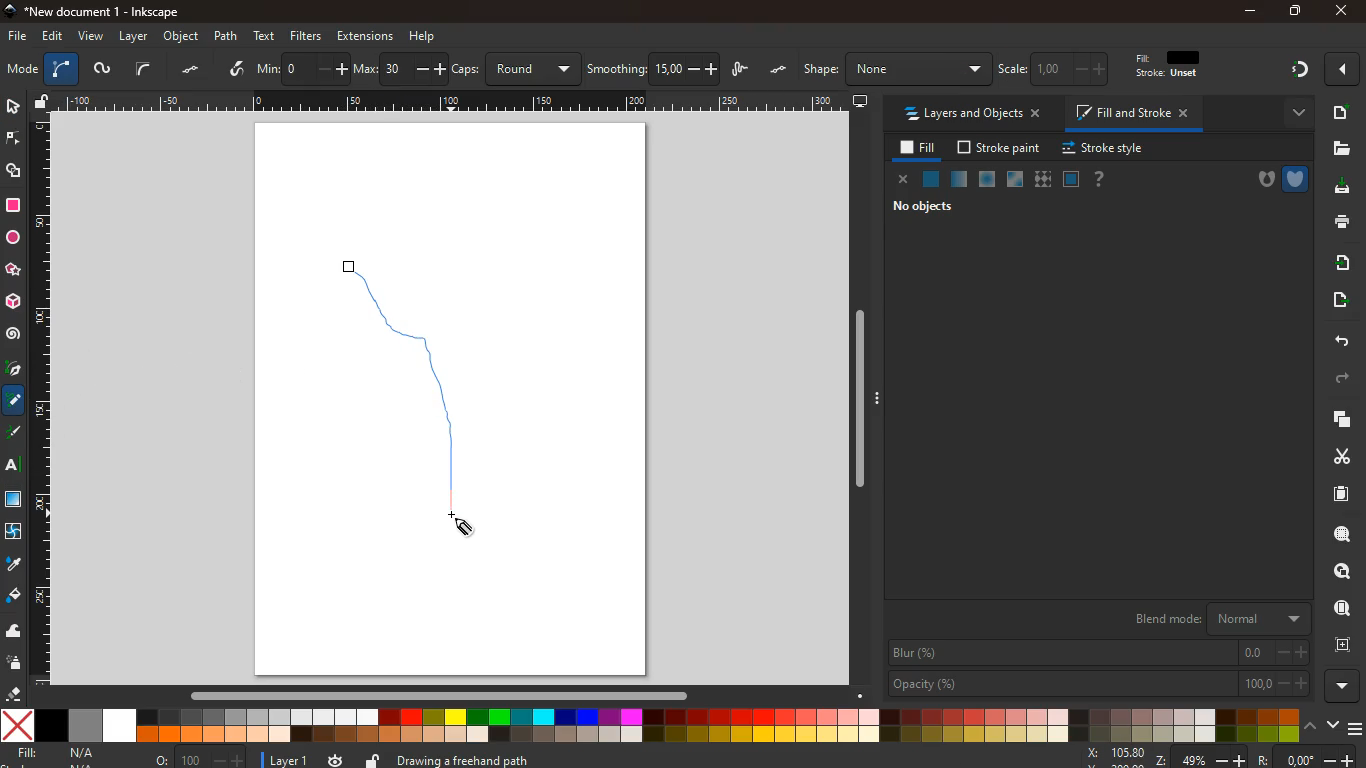 The height and width of the screenshot is (768, 1366). Describe the element at coordinates (784, 67) in the screenshot. I see `unlock` at that location.